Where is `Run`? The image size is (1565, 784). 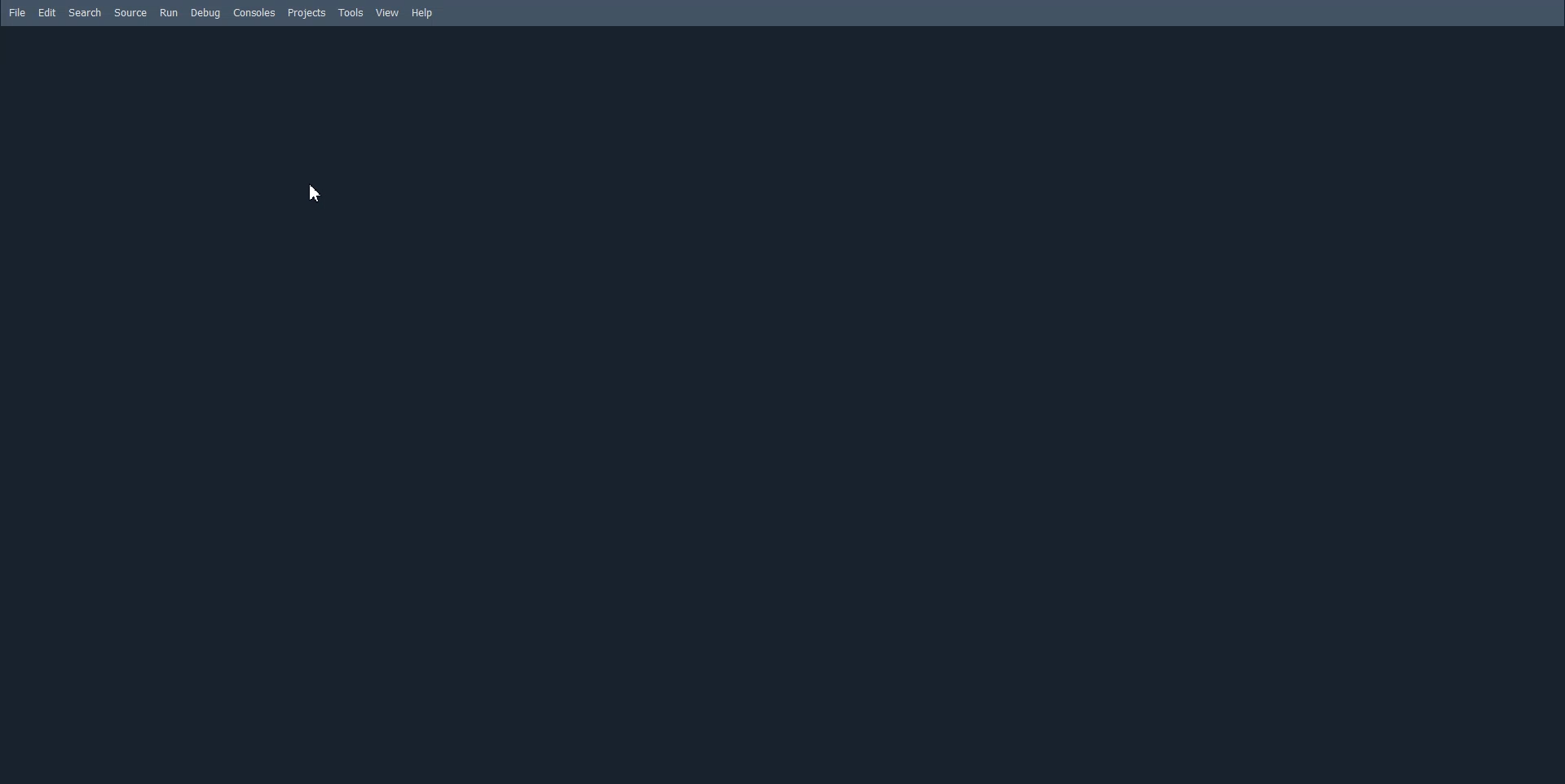 Run is located at coordinates (169, 13).